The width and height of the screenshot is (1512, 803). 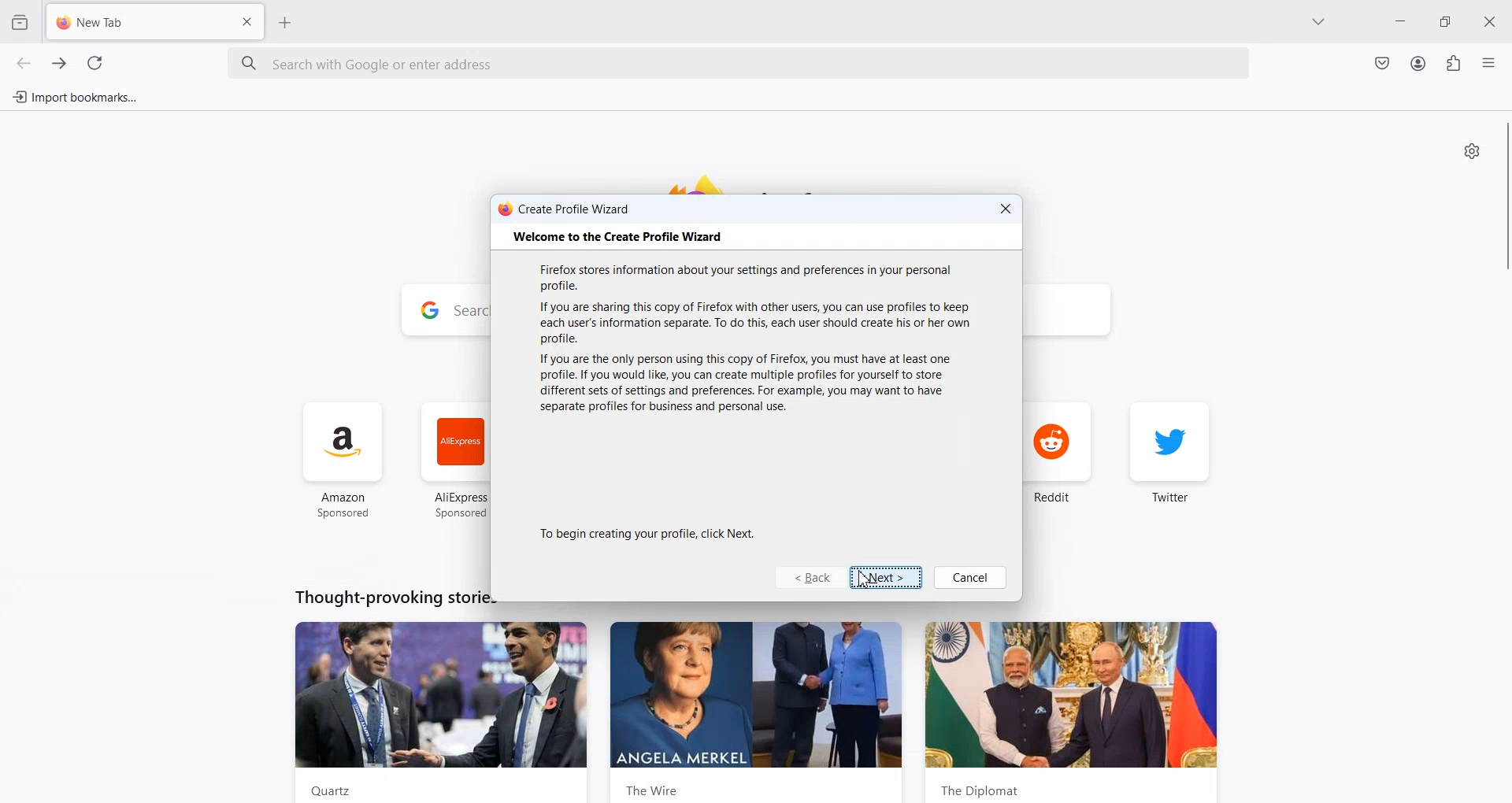 What do you see at coordinates (746, 321) in the screenshot?
I see `If you are sharing this copy of Firefox with other users, you can use profiles to keep each user's information separate. To do this, each user should create his or her own profile.` at bounding box center [746, 321].